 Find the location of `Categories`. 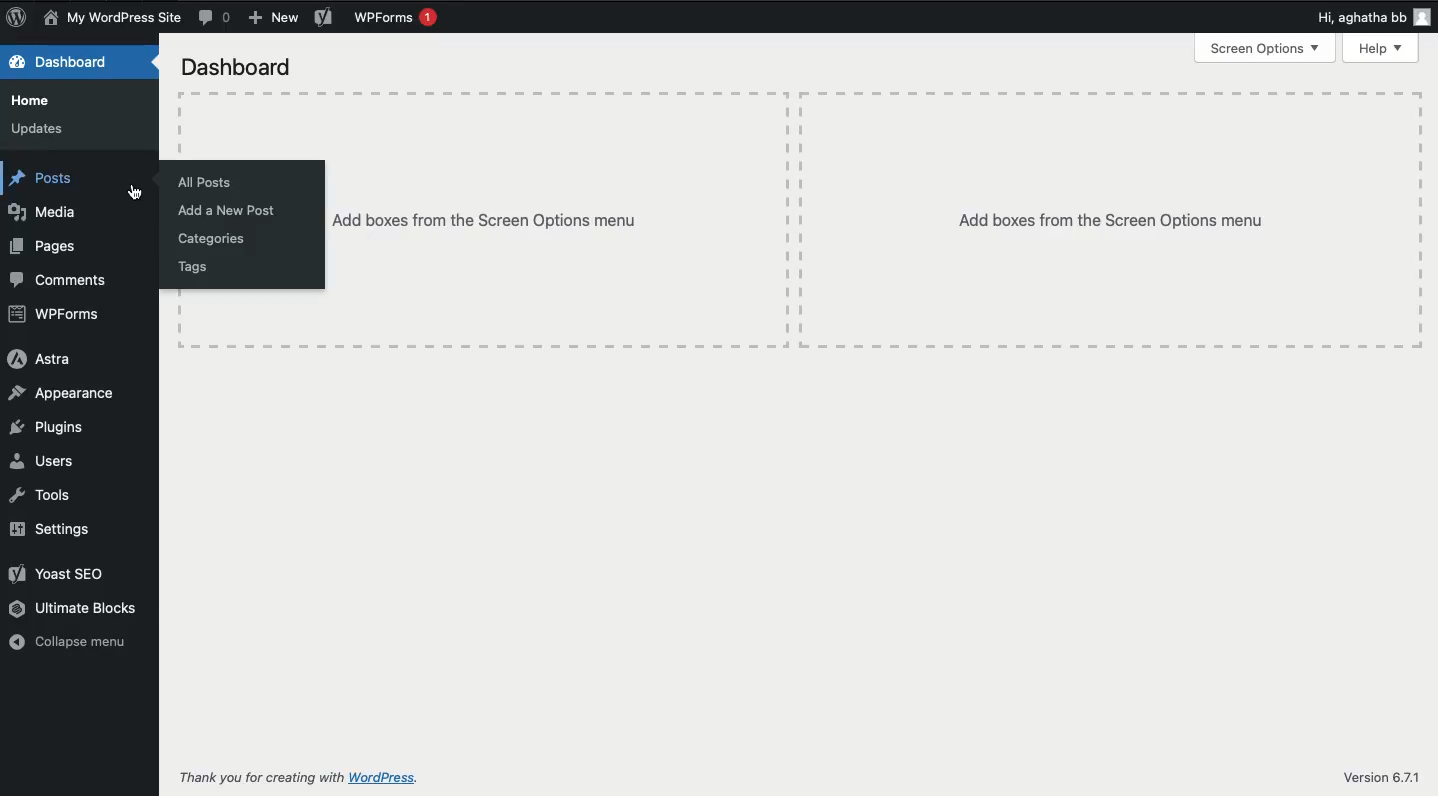

Categories is located at coordinates (215, 239).